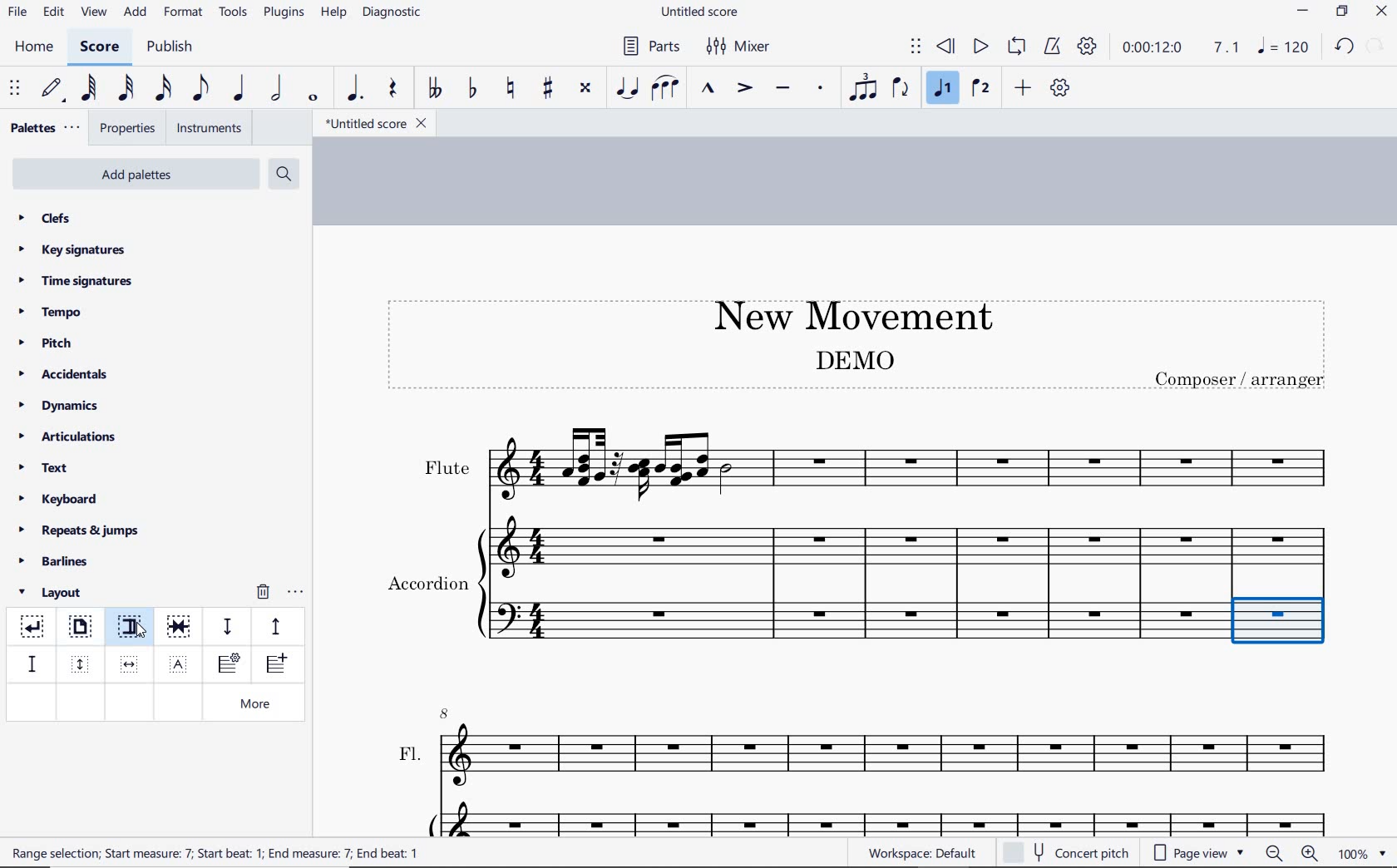 This screenshot has height=868, width=1397. What do you see at coordinates (1228, 48) in the screenshot?
I see `Playback speed` at bounding box center [1228, 48].